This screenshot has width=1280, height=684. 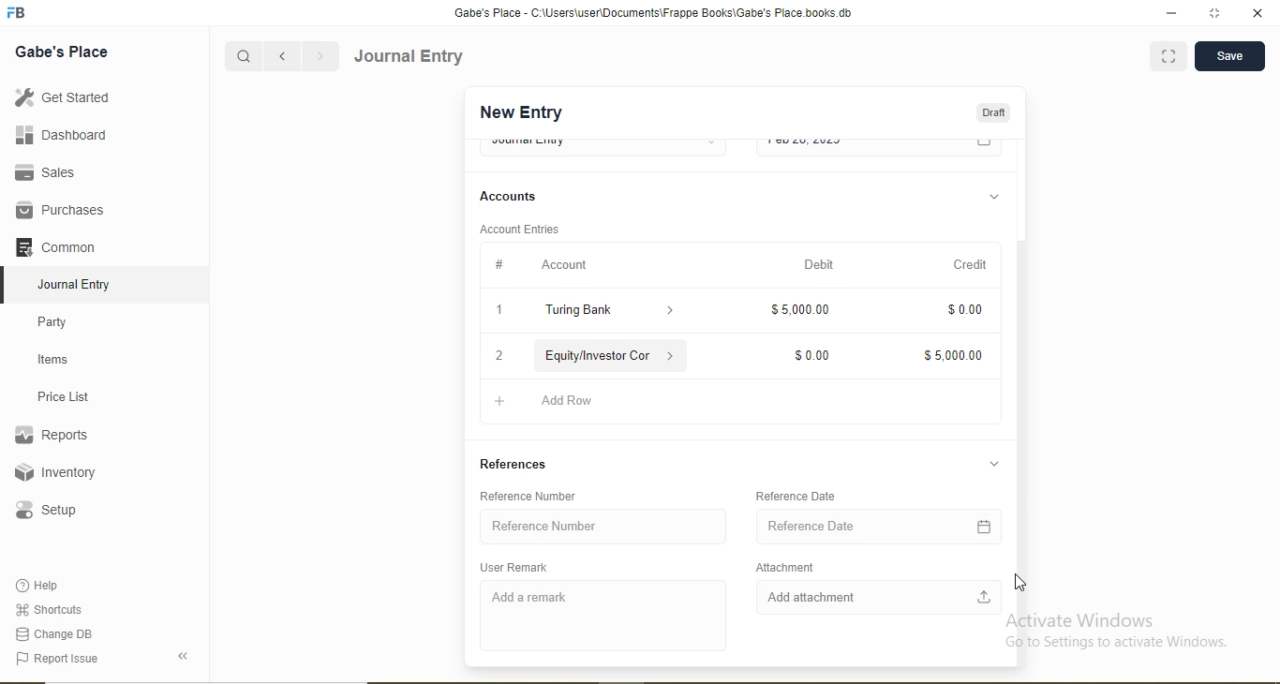 What do you see at coordinates (39, 585) in the screenshot?
I see `Help` at bounding box center [39, 585].